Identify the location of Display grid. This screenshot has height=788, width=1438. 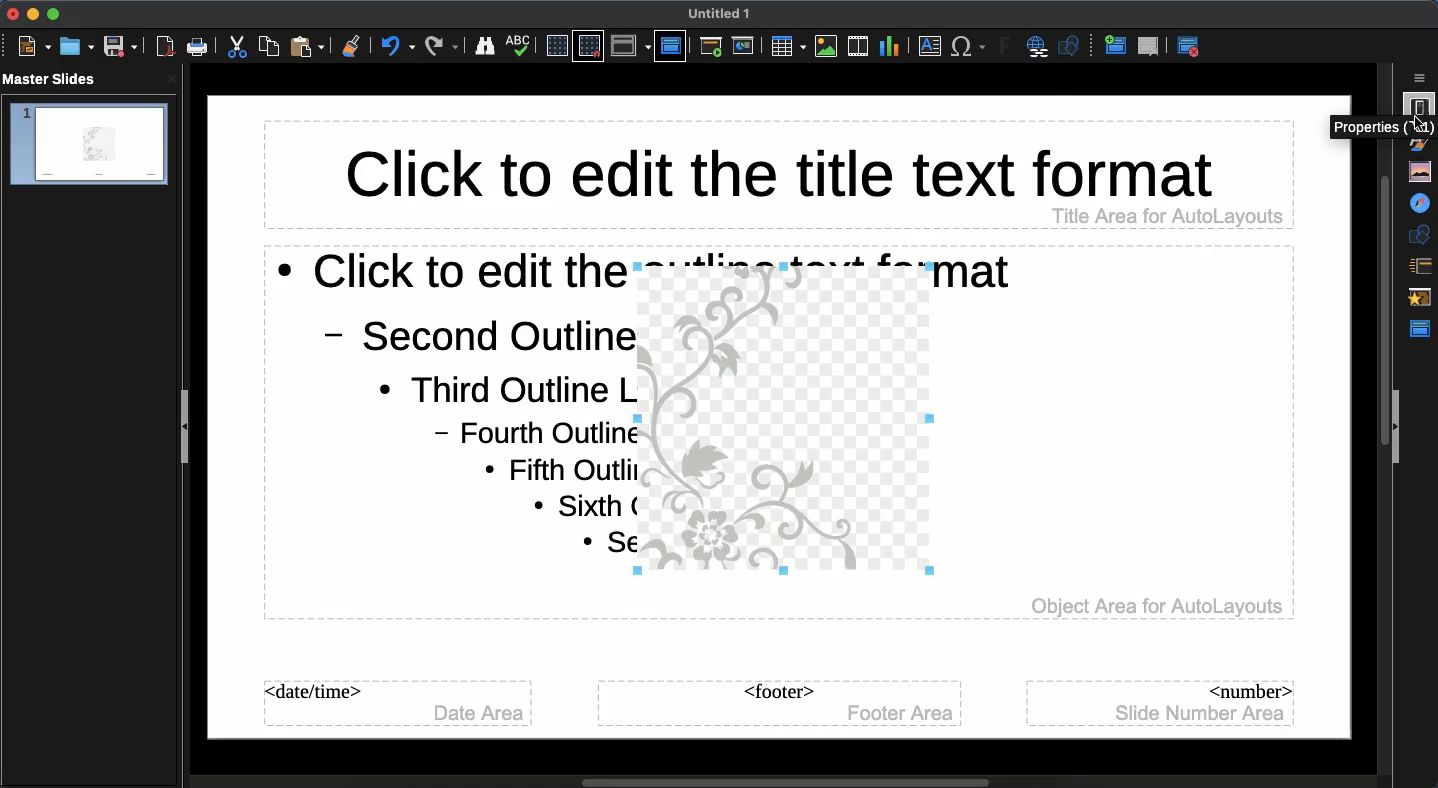
(555, 45).